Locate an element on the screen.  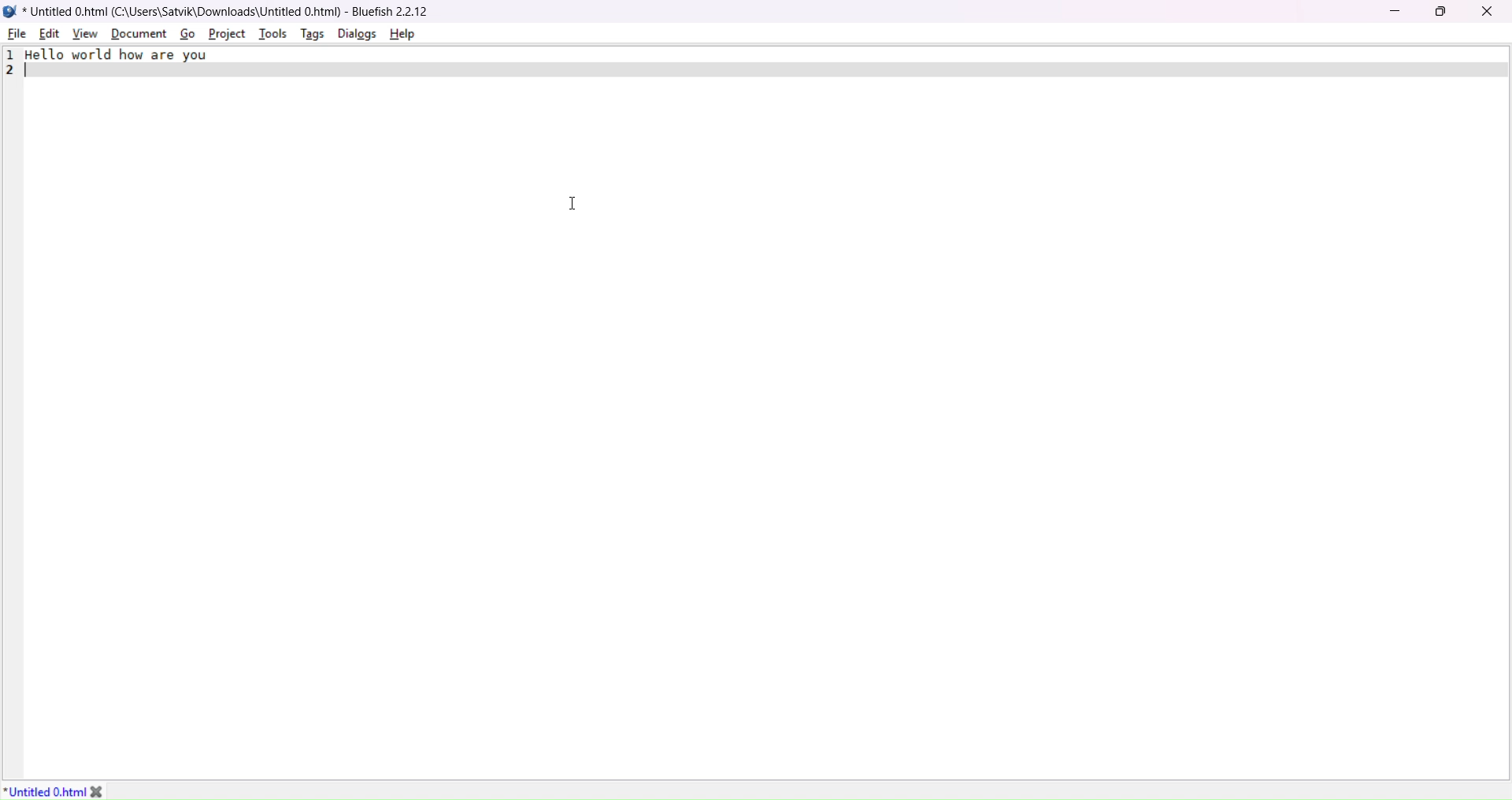
go is located at coordinates (186, 33).